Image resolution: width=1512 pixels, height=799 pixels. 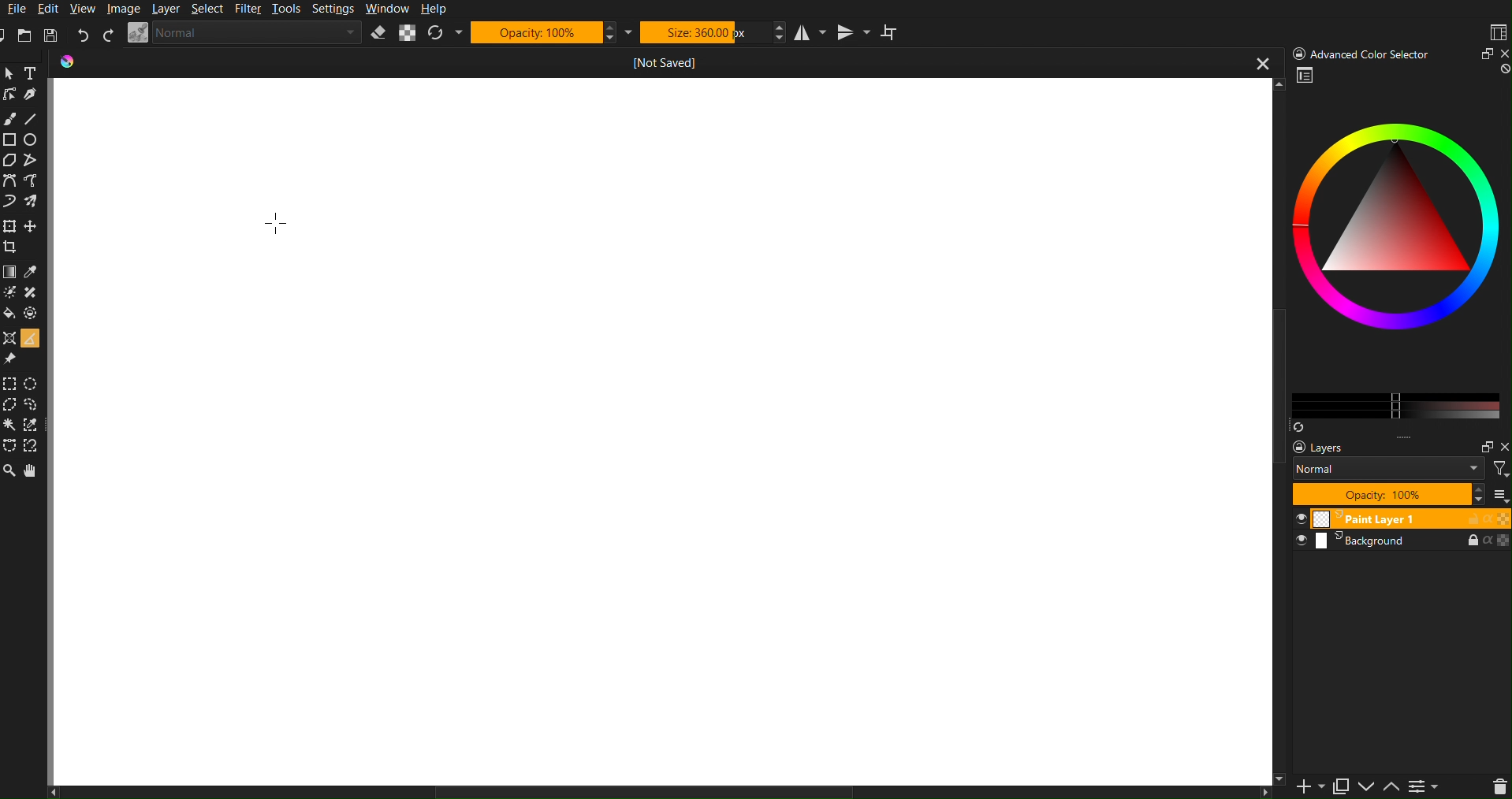 I want to click on Settings, so click(x=1431, y=786).